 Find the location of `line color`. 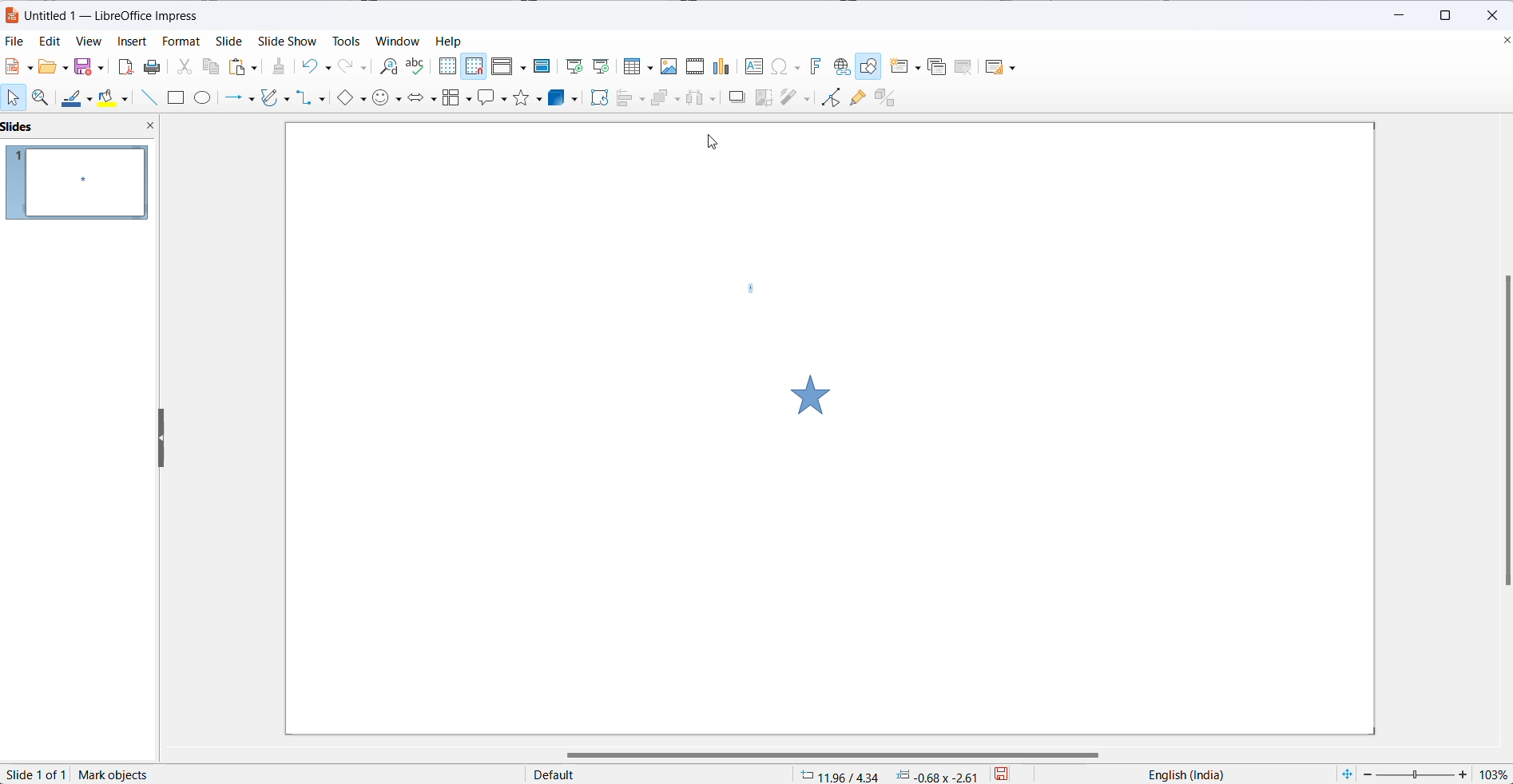

line color is located at coordinates (78, 97).